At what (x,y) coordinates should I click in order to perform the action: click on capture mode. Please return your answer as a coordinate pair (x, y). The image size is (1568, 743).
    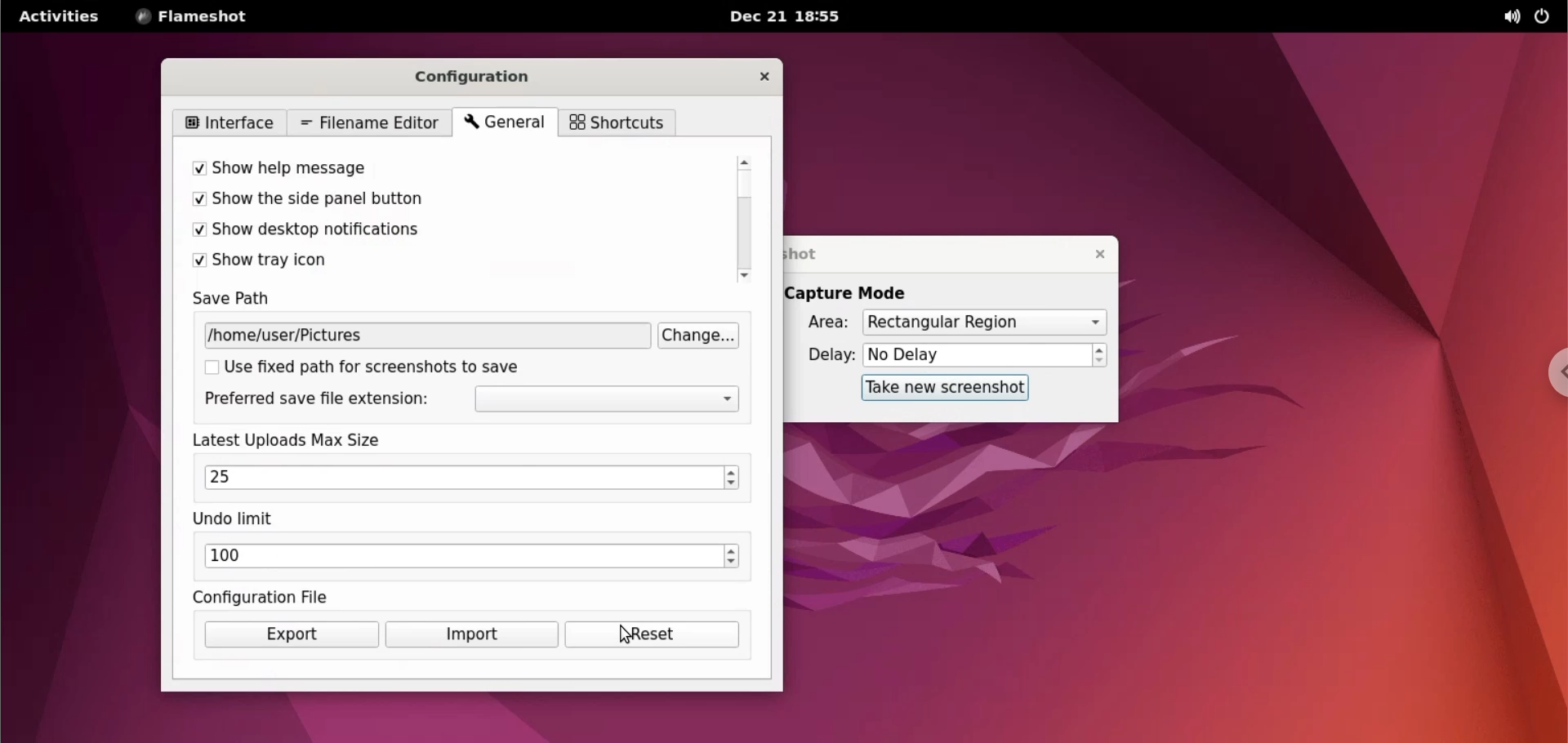
    Looking at the image, I should click on (851, 293).